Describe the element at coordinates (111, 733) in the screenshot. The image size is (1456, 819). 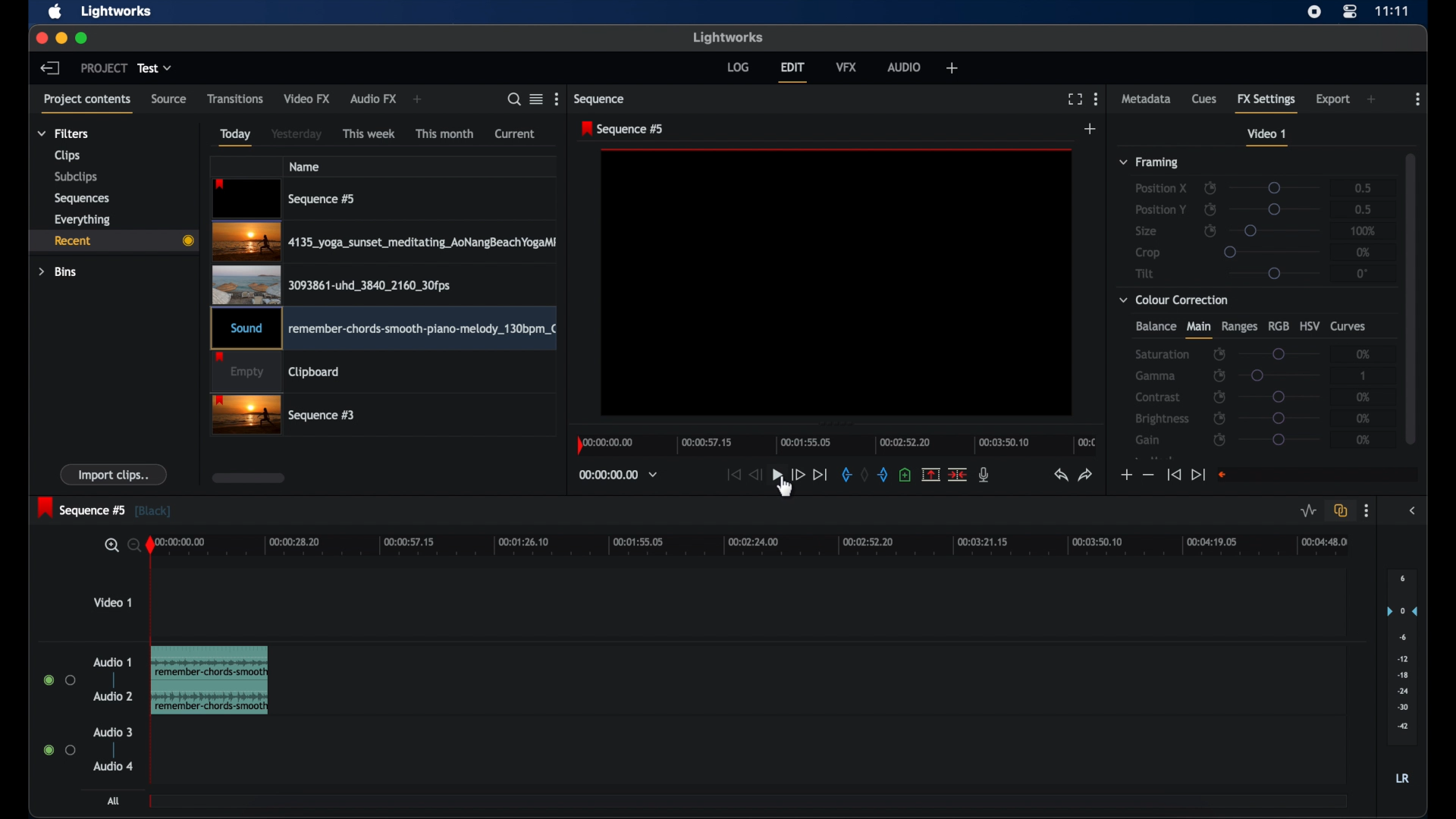
I see `audio 3` at that location.